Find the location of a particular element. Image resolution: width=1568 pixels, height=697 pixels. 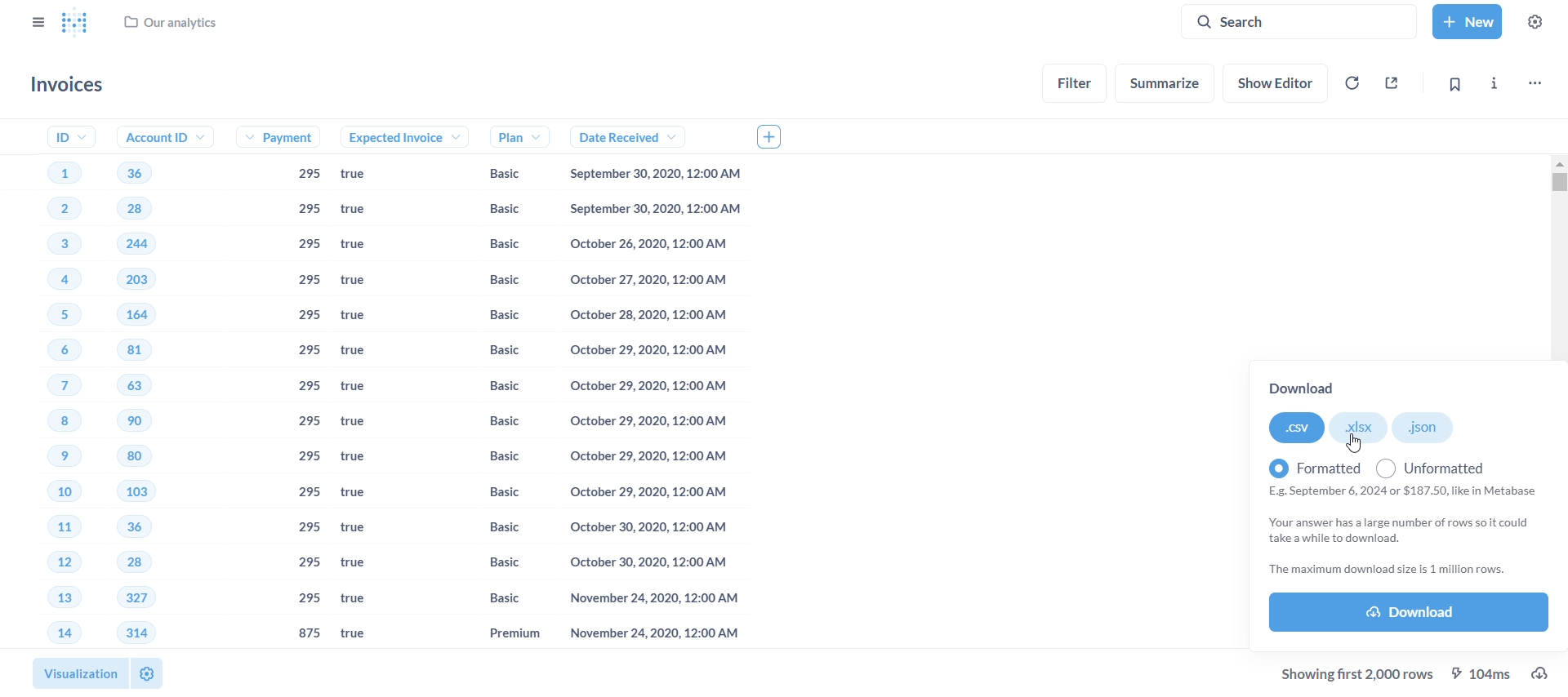

settings is located at coordinates (146, 673).